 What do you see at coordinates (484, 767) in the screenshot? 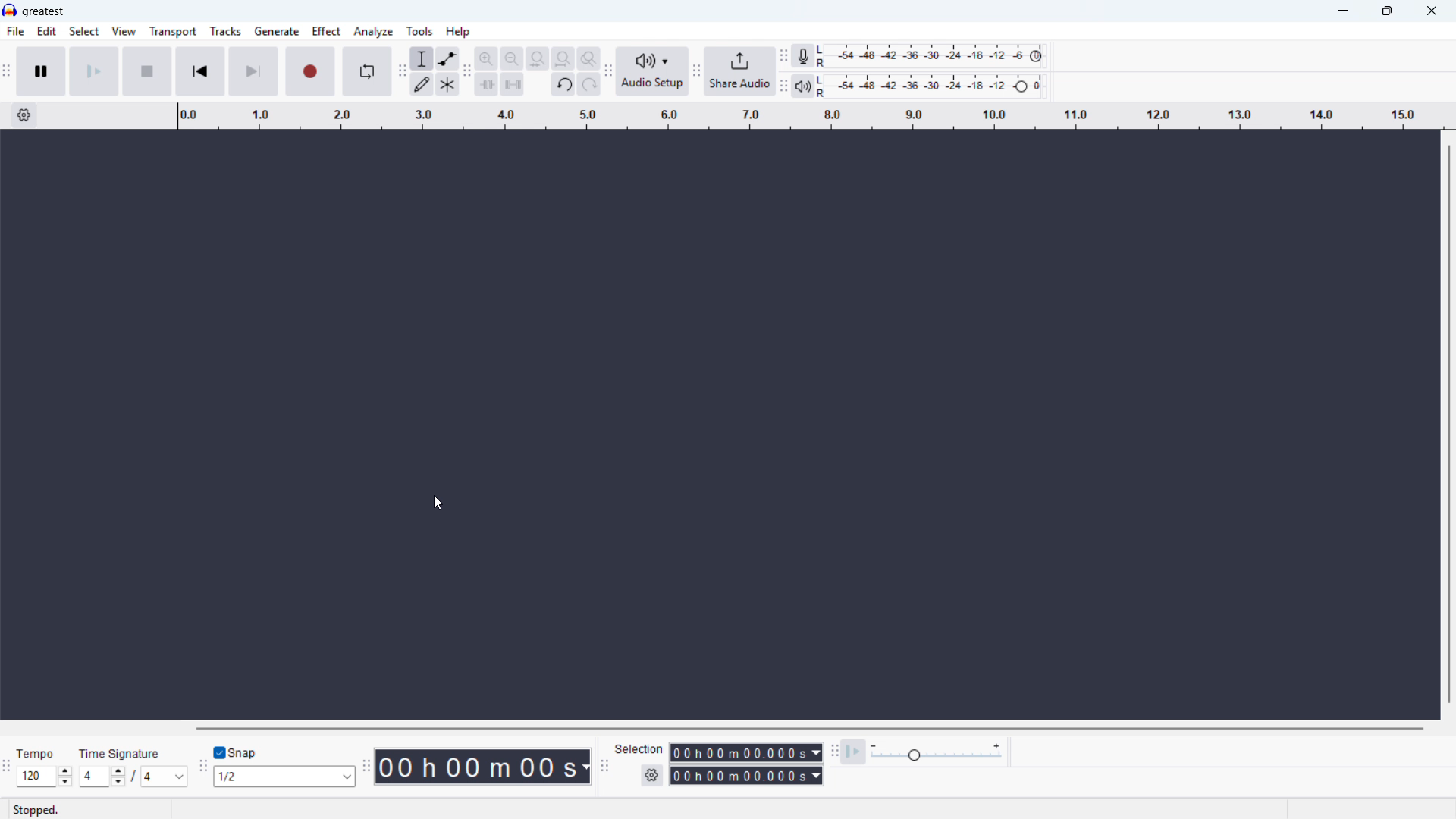
I see `Timestamp ` at bounding box center [484, 767].